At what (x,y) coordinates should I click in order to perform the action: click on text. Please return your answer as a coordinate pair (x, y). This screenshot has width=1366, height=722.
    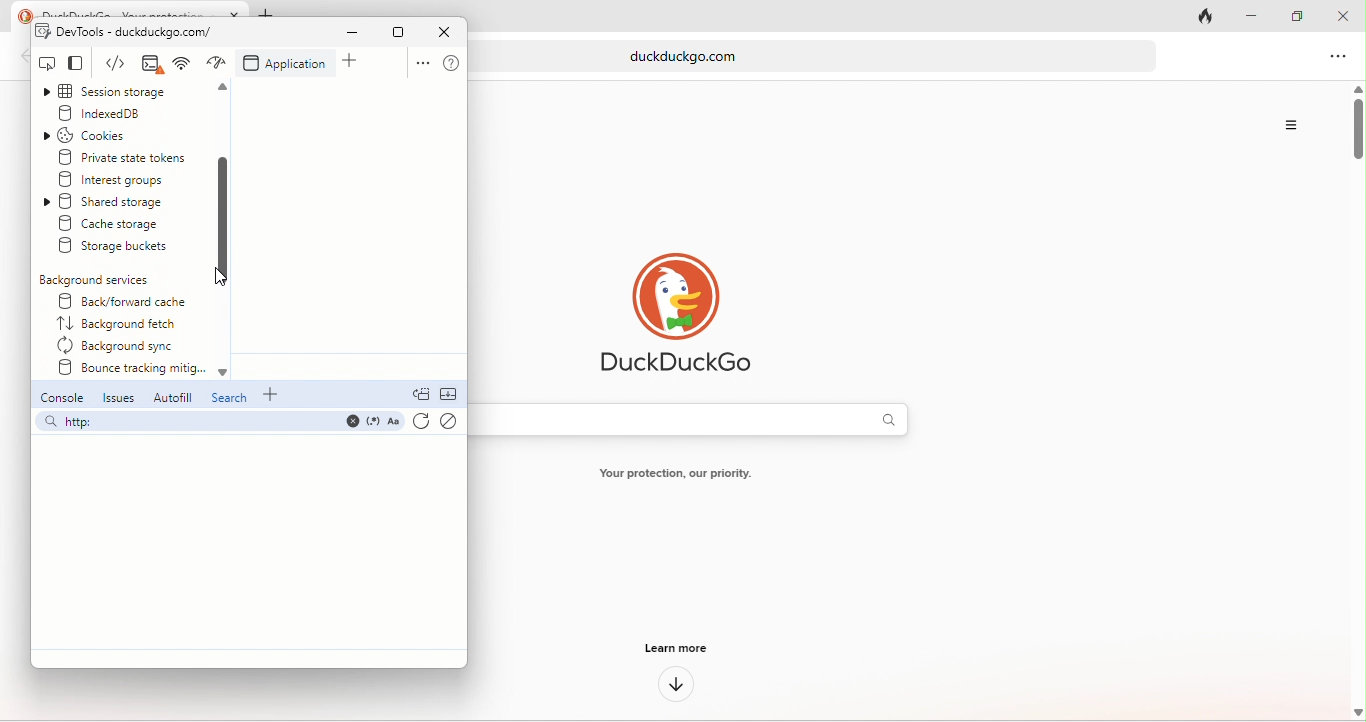
    Looking at the image, I should click on (686, 475).